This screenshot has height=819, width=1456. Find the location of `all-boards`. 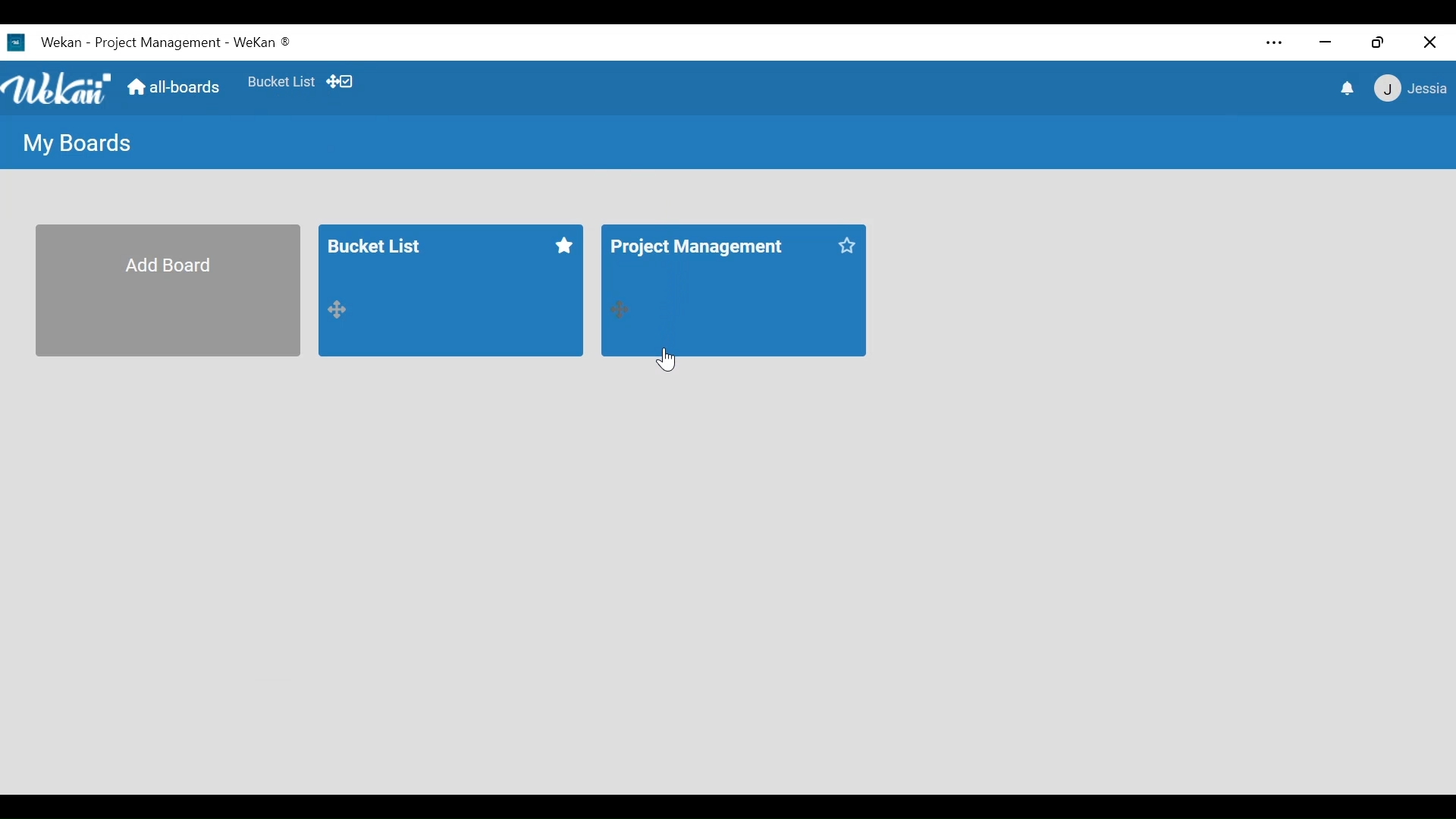

all-boards is located at coordinates (175, 88).